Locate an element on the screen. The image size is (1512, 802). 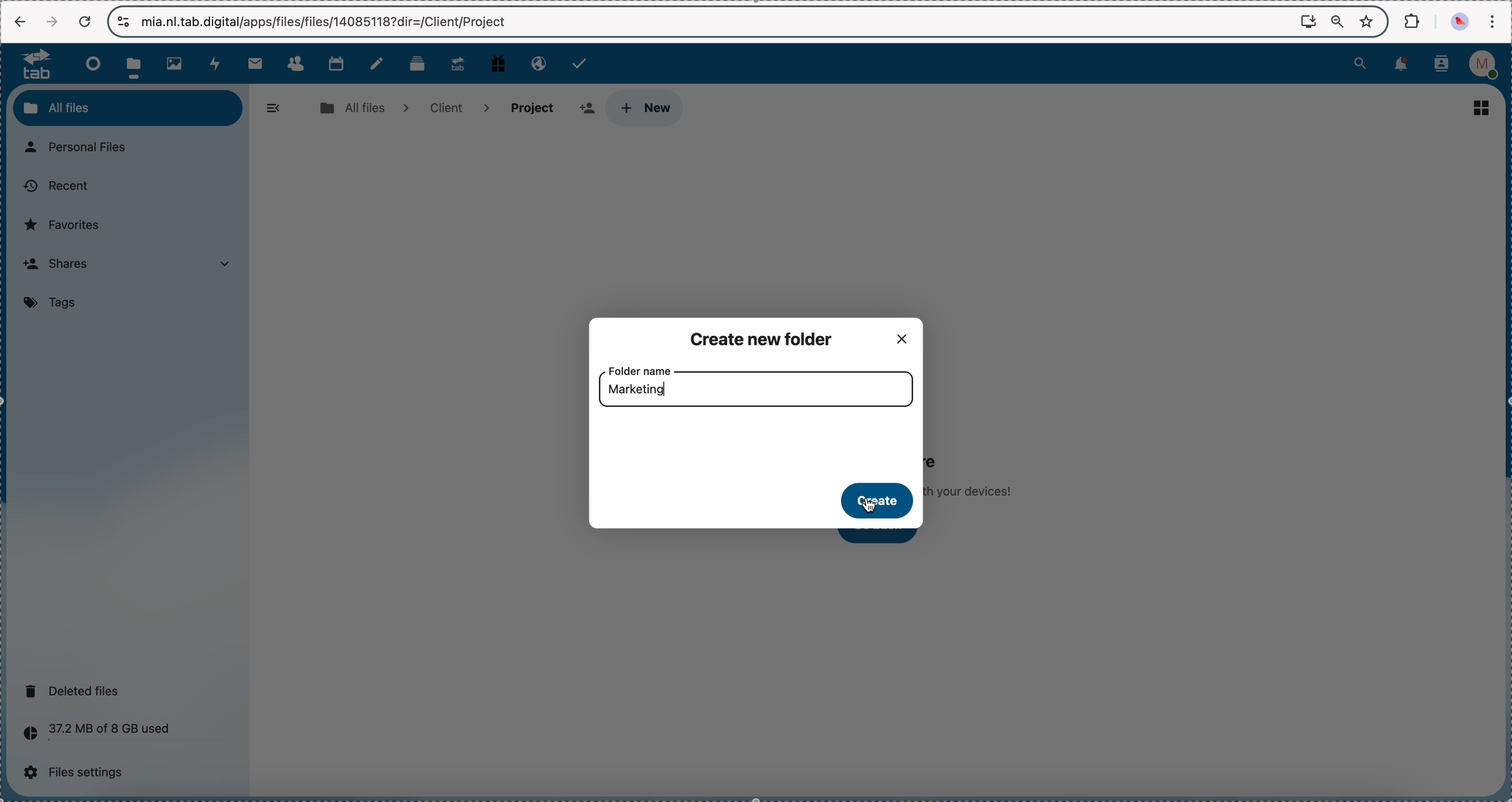
tab is located at coordinates (31, 63).